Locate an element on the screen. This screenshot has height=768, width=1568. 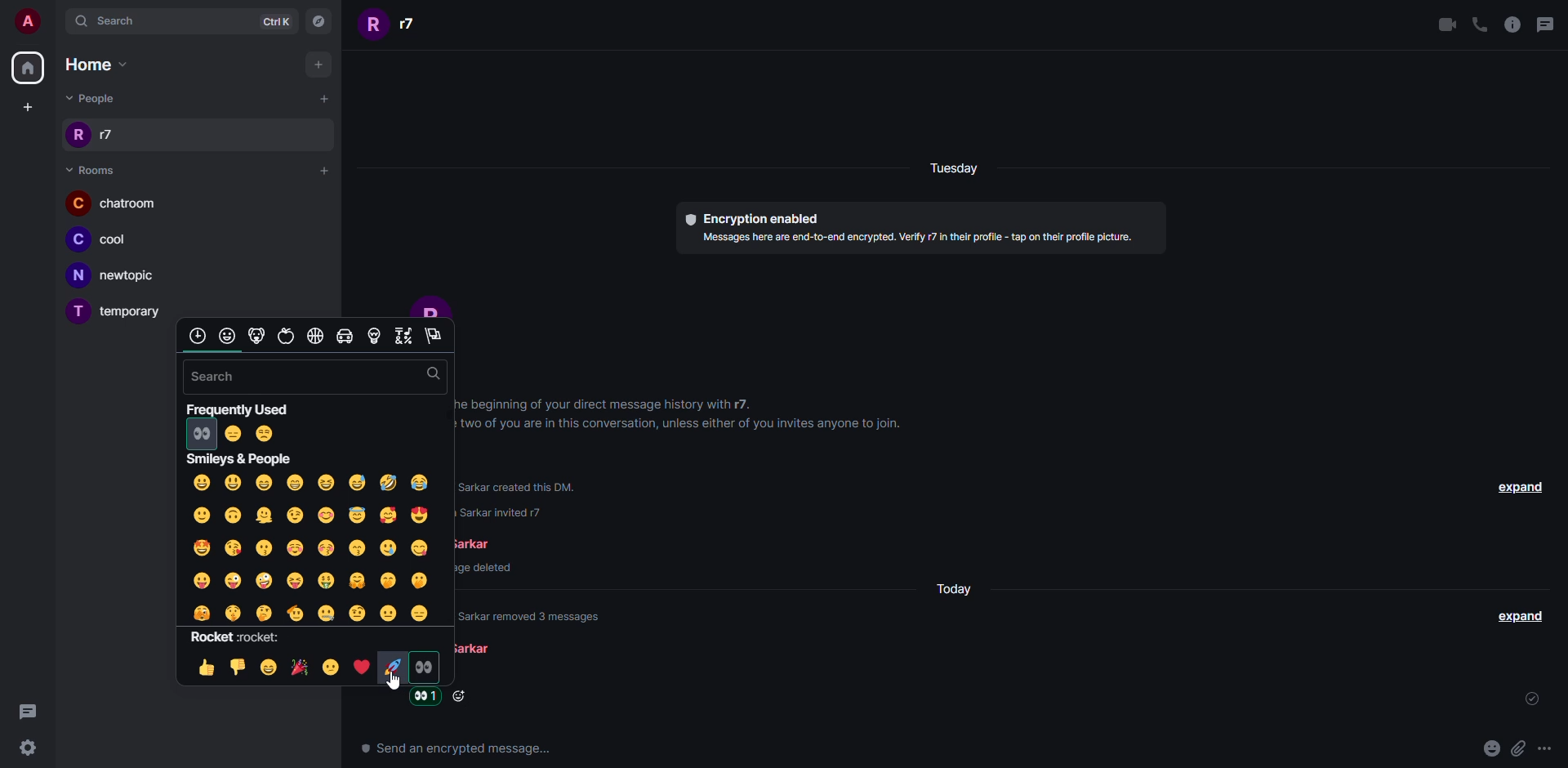
add is located at coordinates (322, 65).